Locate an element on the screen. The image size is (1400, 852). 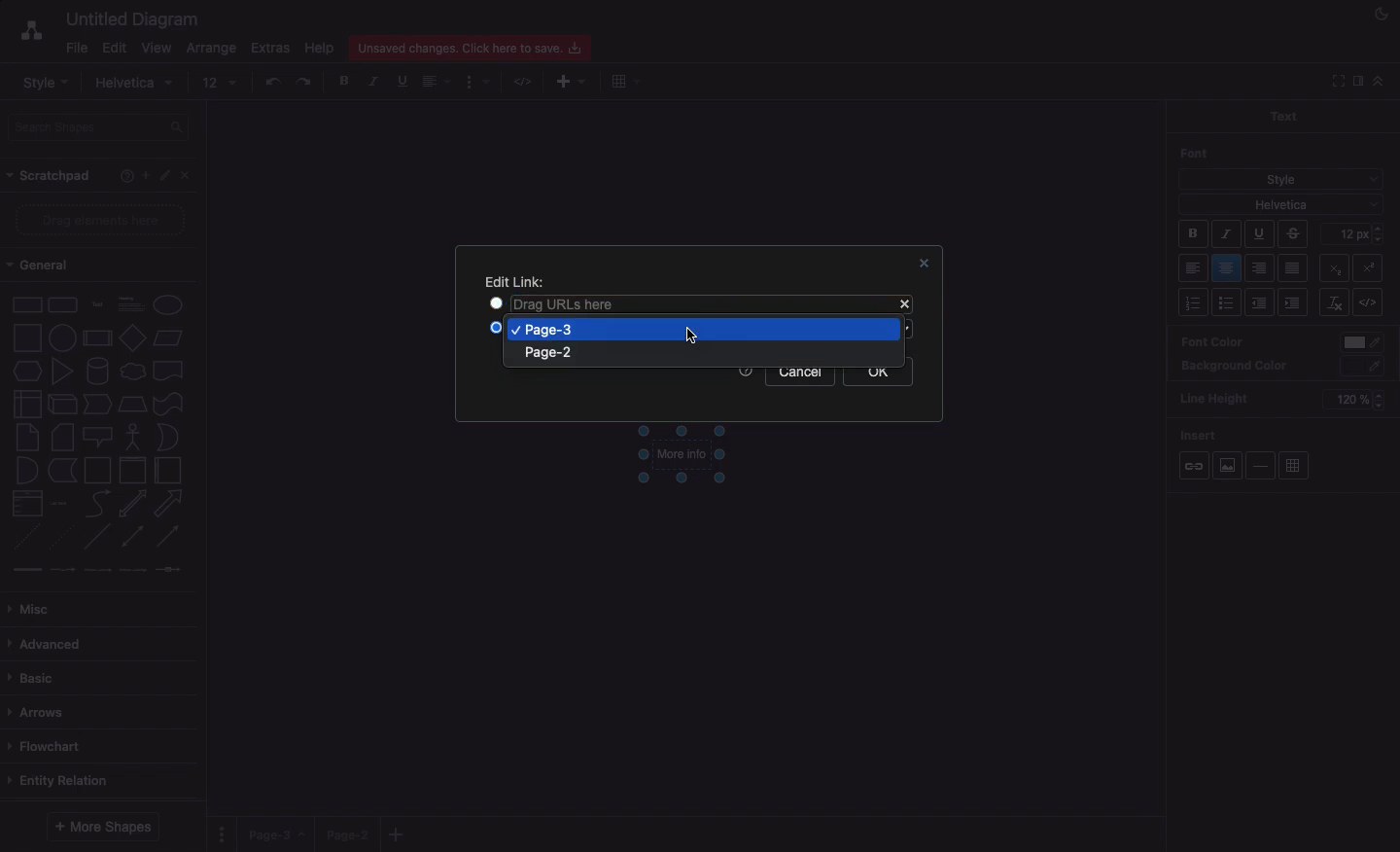
Embed is located at coordinates (1373, 303).